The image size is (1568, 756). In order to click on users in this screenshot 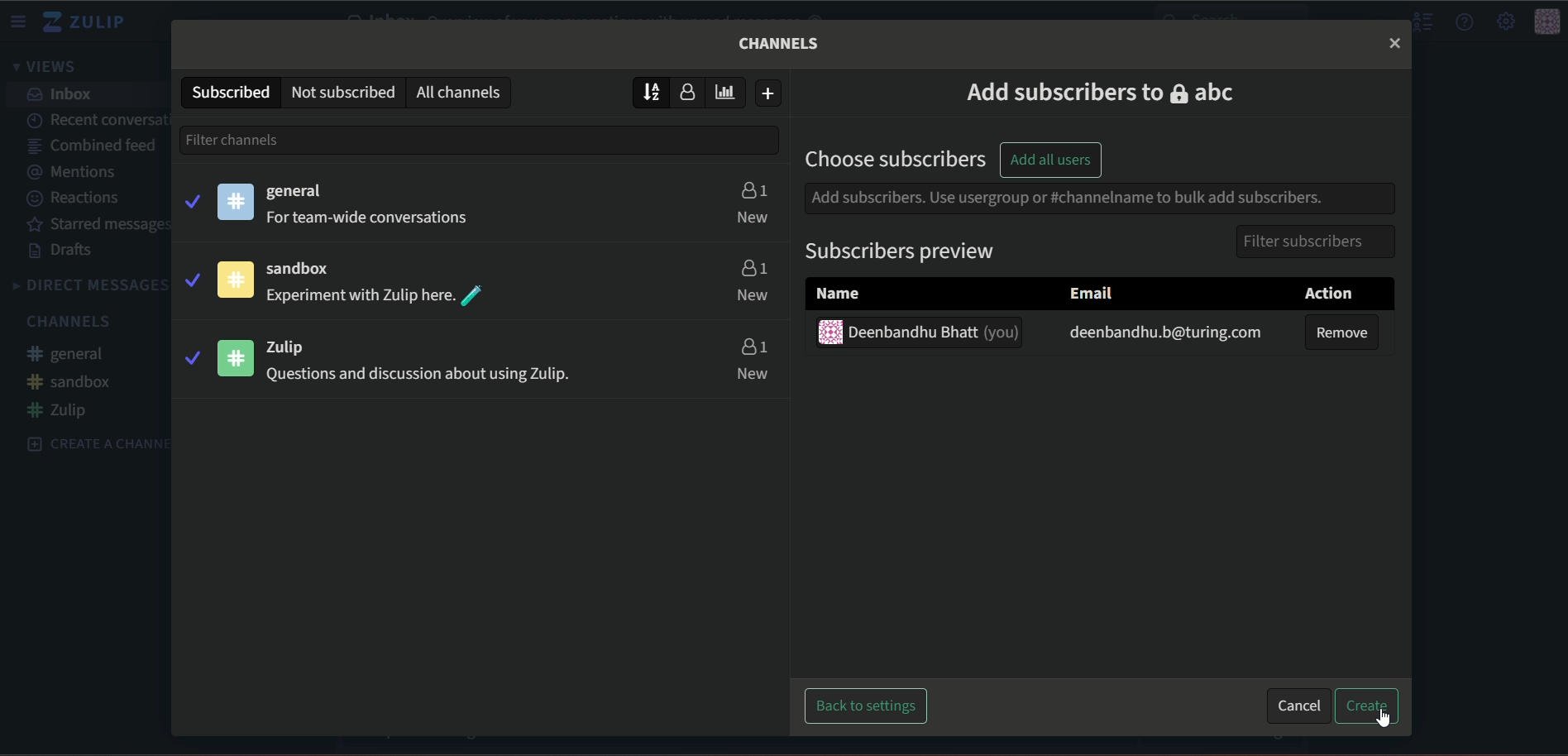, I will do `click(752, 266)`.